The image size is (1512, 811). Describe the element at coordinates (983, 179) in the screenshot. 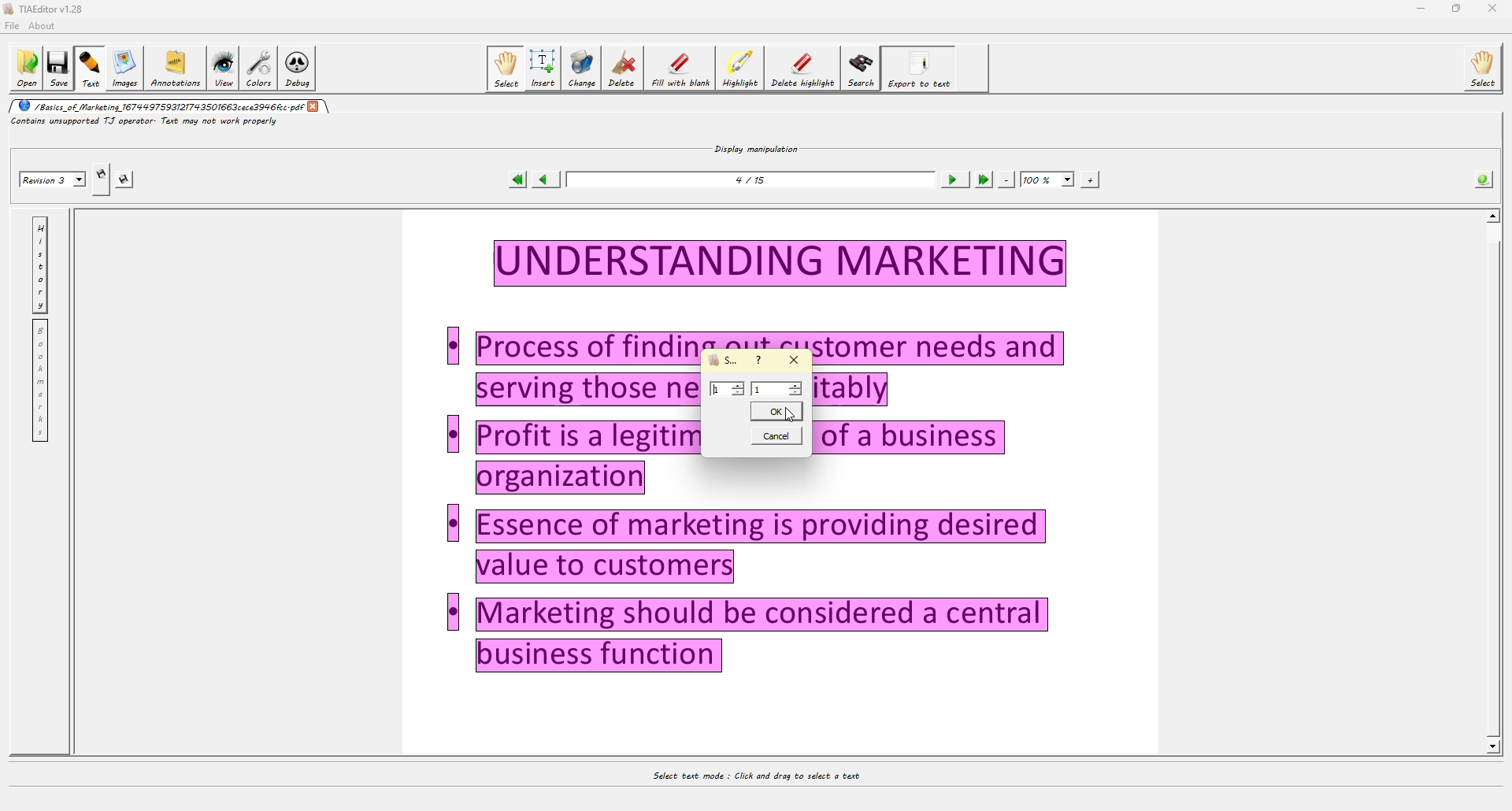

I see `last page` at that location.